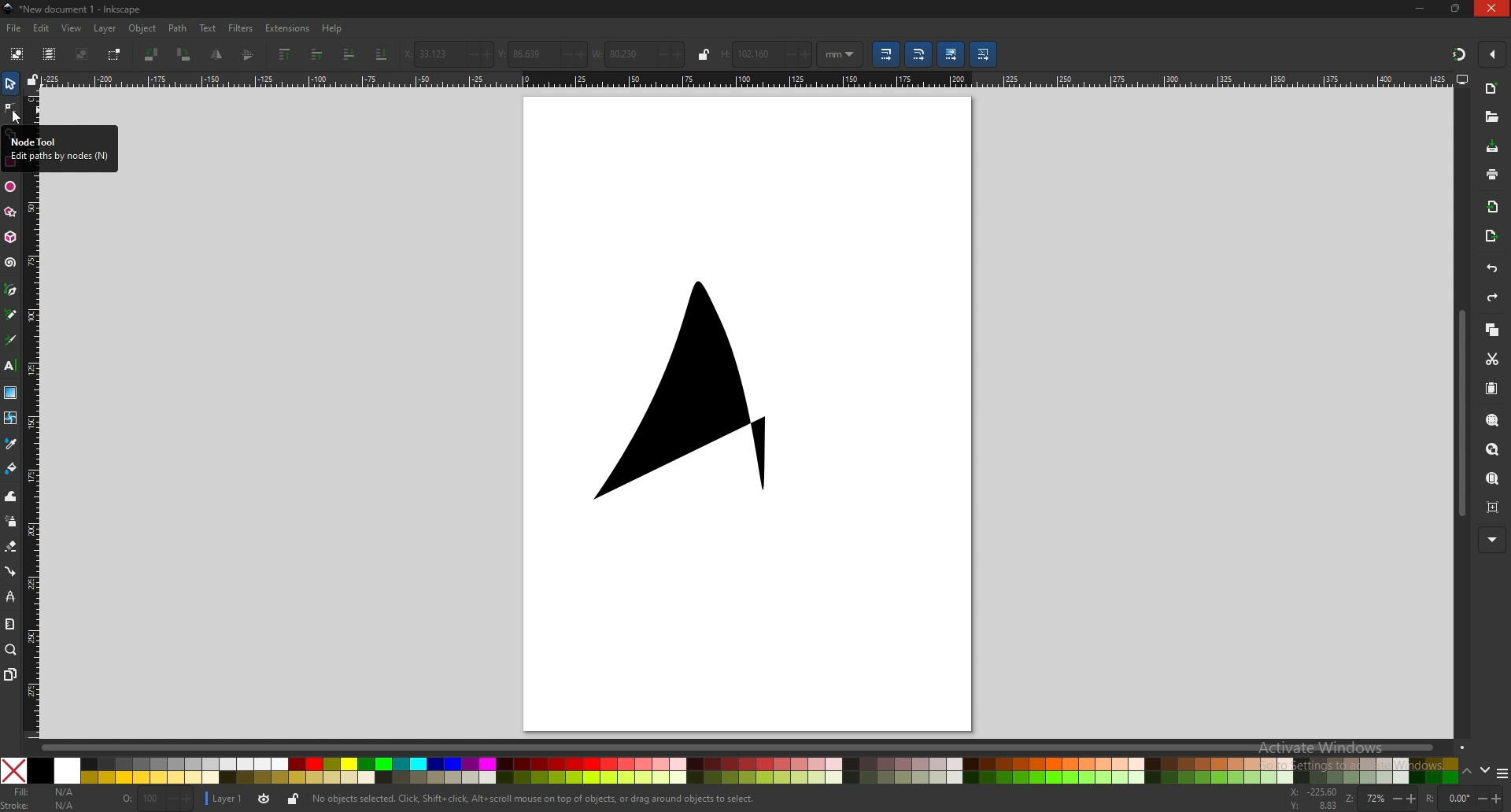 This screenshot has width=1511, height=812. I want to click on text, so click(208, 28).